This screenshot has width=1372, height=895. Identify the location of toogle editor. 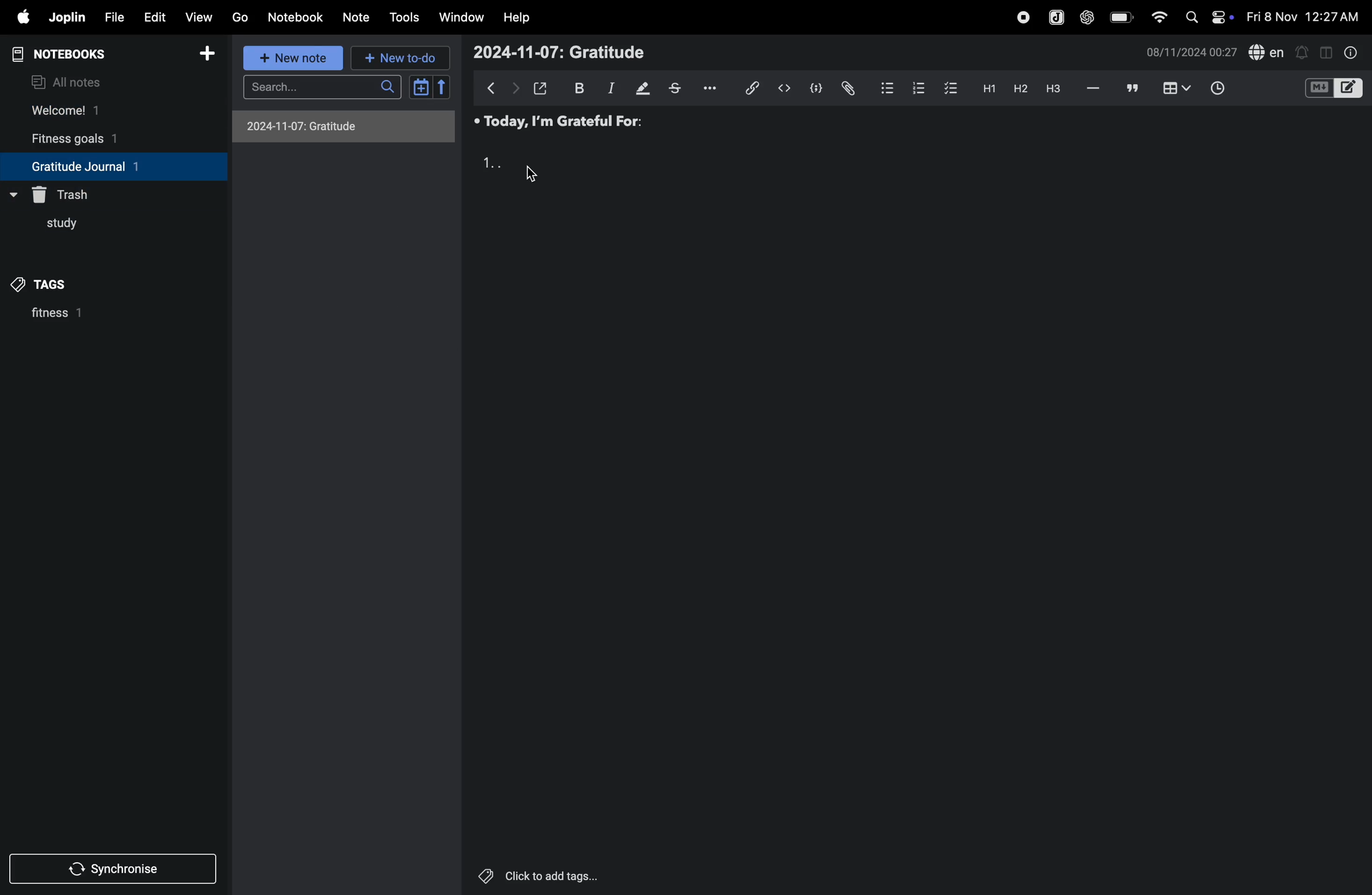
(1334, 90).